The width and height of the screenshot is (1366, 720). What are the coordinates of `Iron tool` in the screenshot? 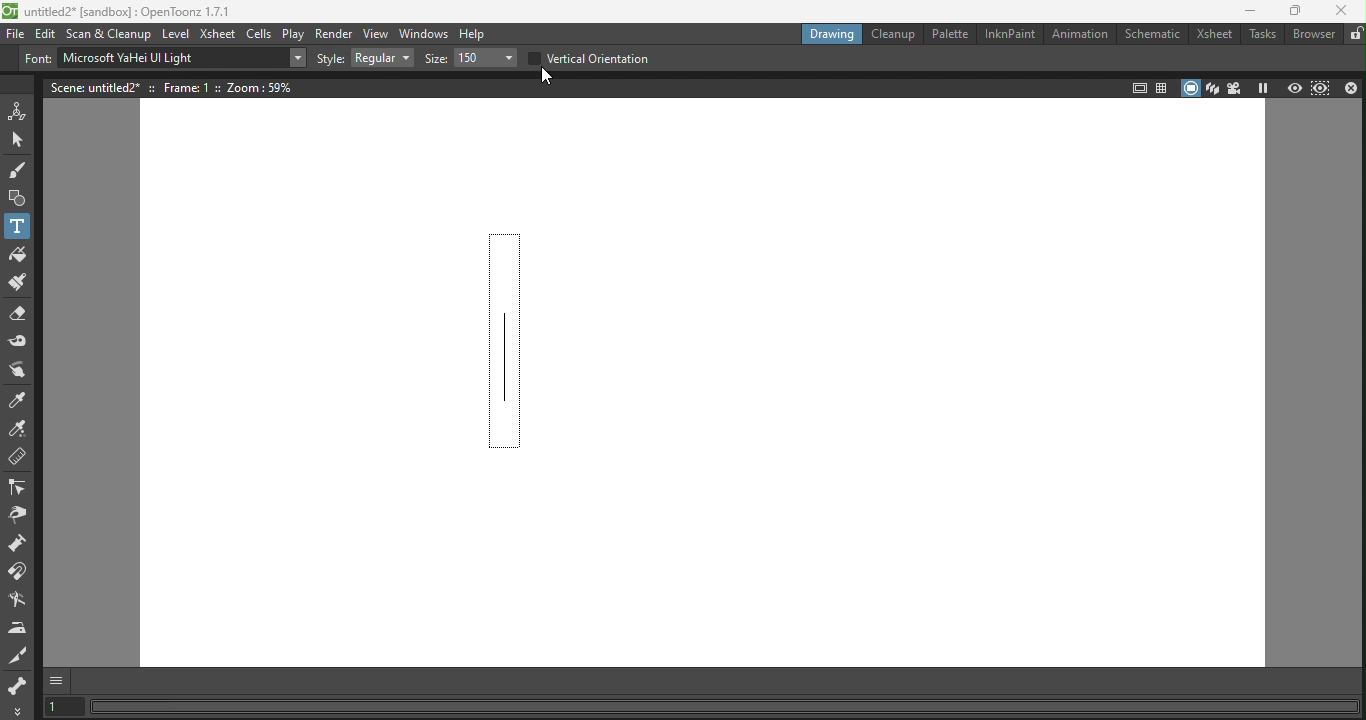 It's located at (17, 624).